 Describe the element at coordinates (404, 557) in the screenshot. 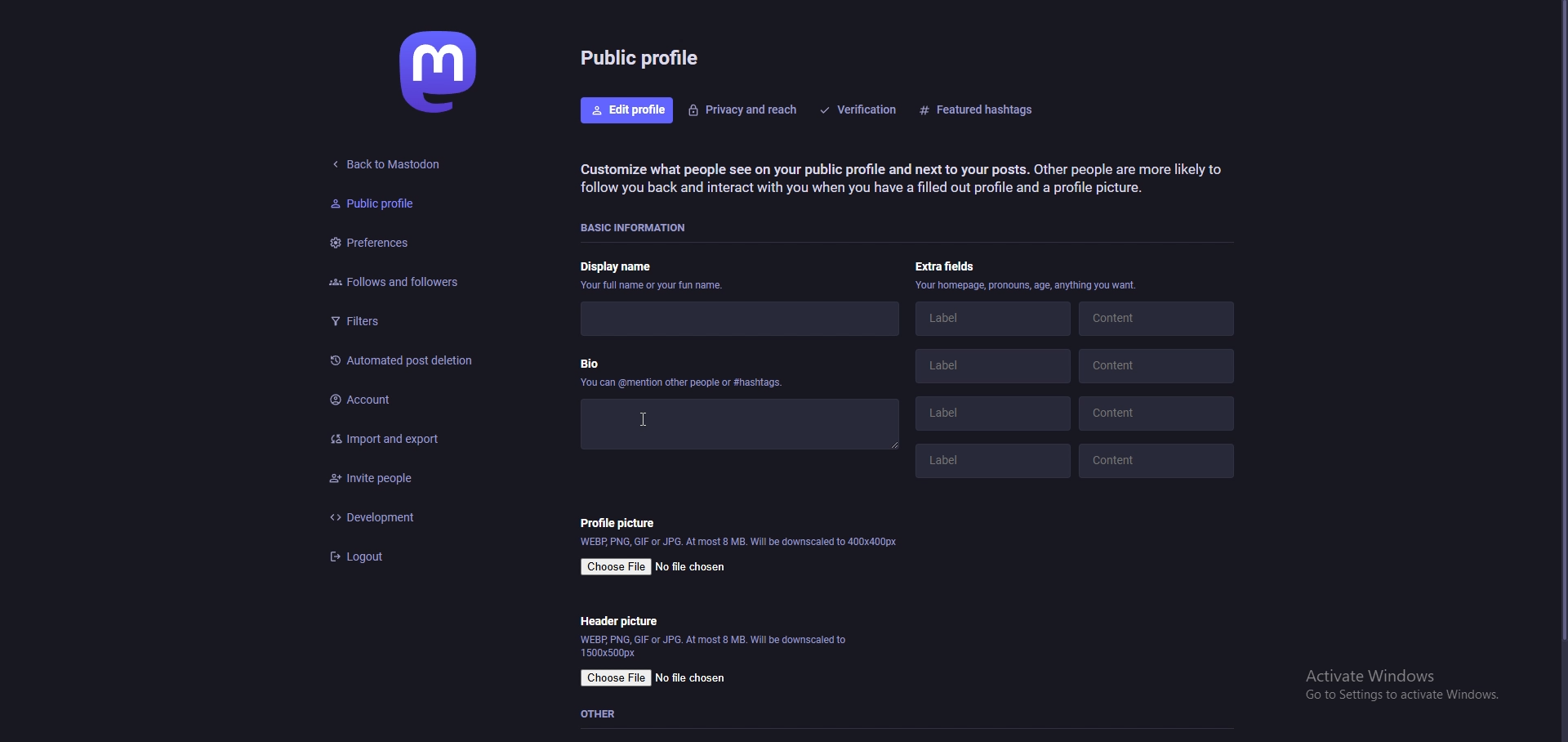

I see `logout` at that location.